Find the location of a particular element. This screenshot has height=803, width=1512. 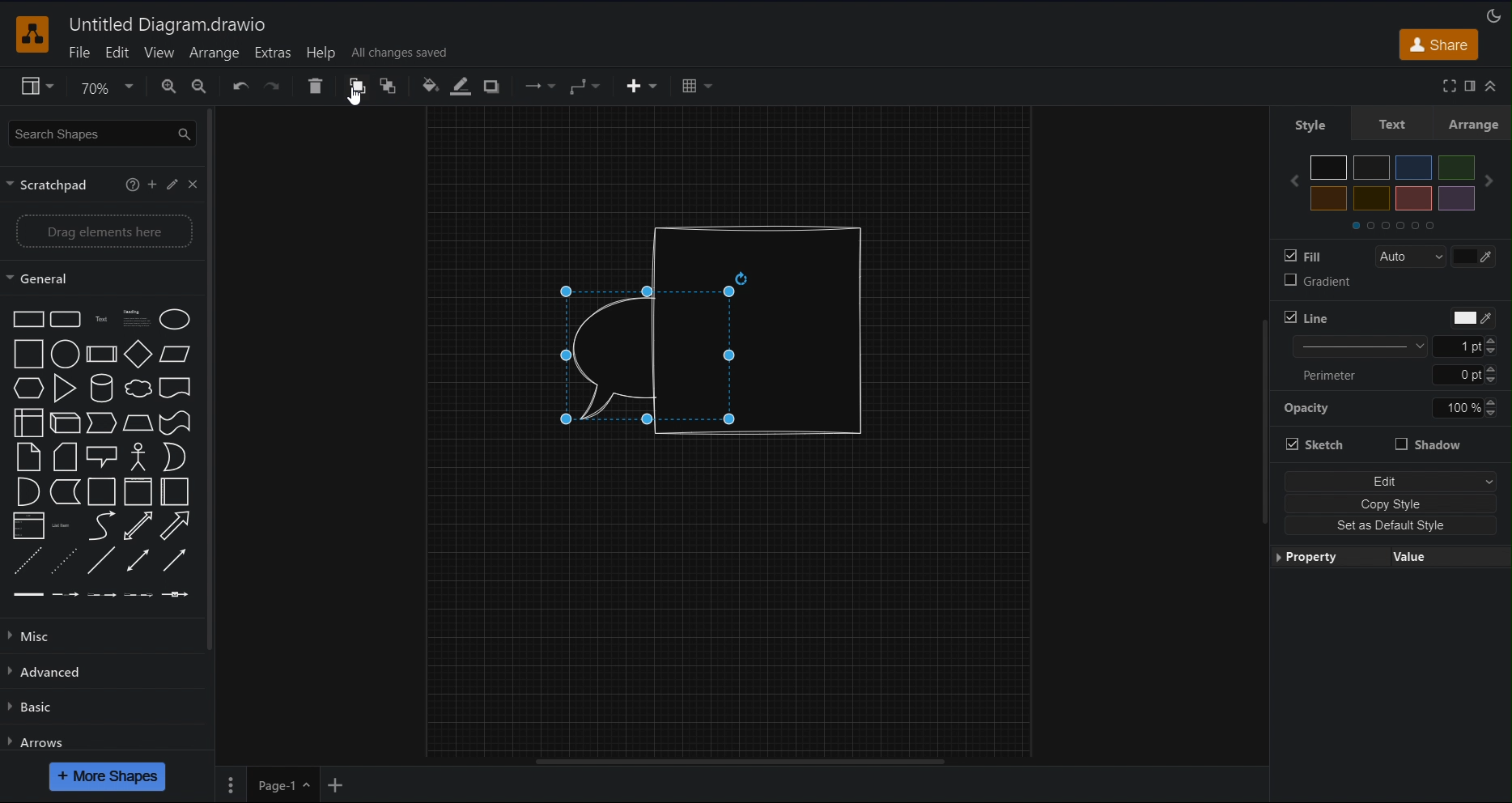

Cylinder is located at coordinates (102, 388).